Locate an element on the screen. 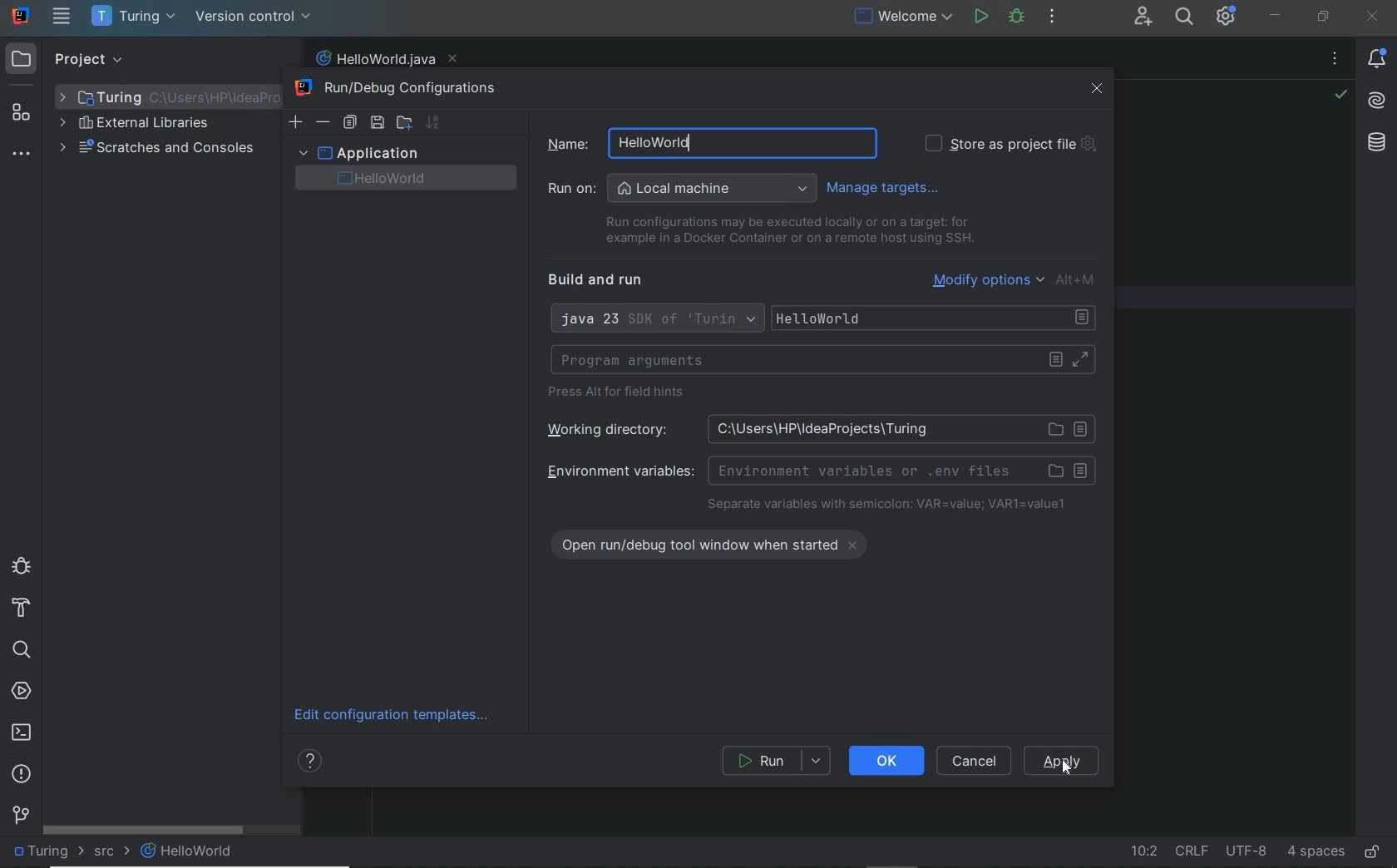 Image resolution: width=1397 pixels, height=868 pixels. cancel is located at coordinates (976, 761).